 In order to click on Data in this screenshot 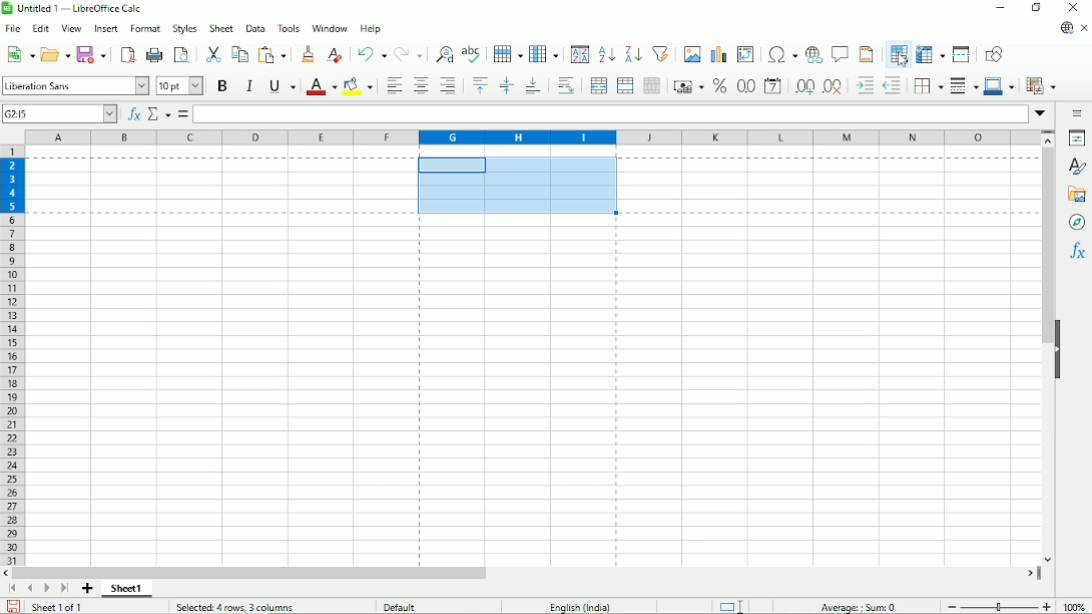, I will do `click(256, 27)`.